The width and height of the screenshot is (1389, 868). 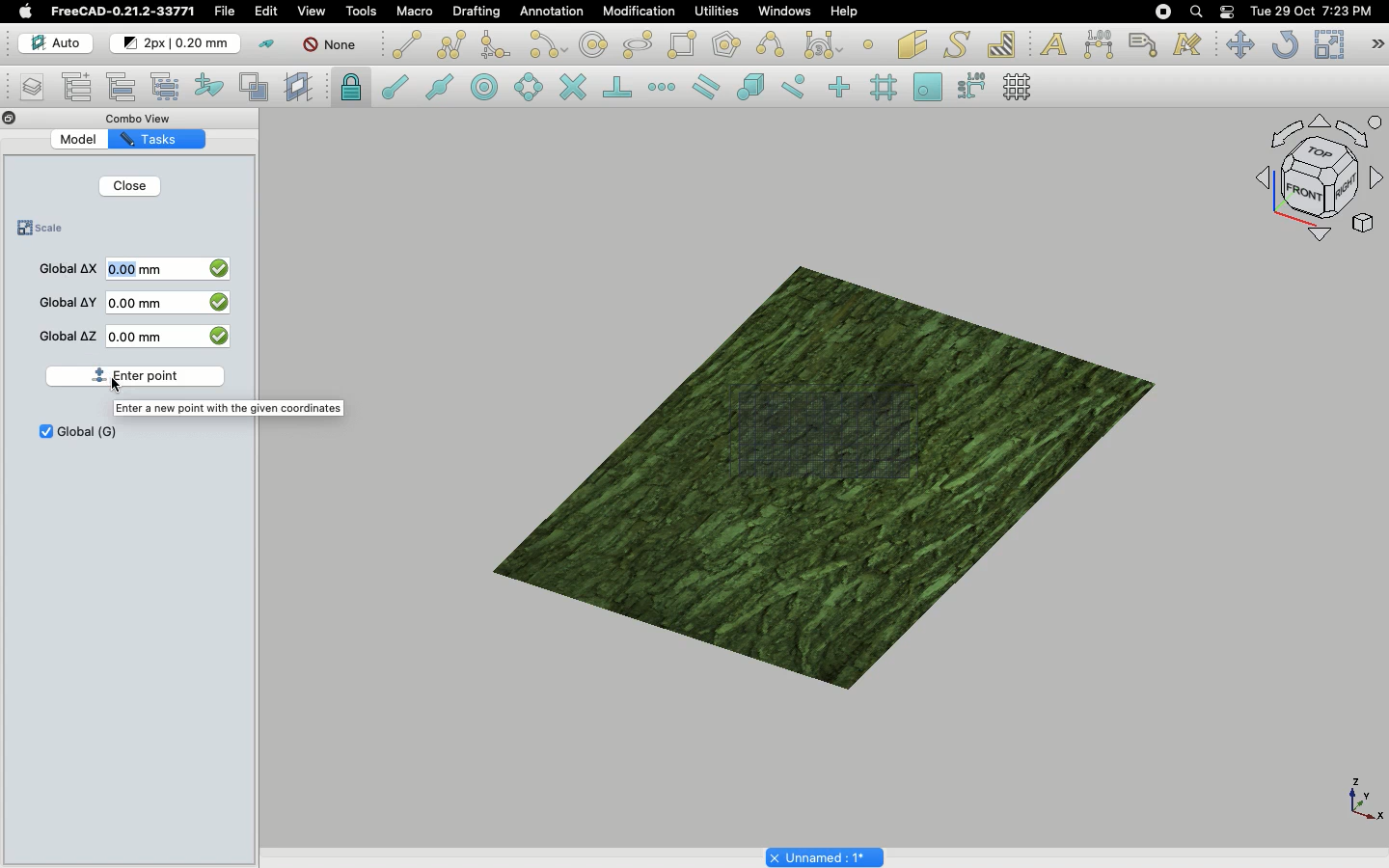 What do you see at coordinates (437, 86) in the screenshot?
I see `Snap midpoint` at bounding box center [437, 86].